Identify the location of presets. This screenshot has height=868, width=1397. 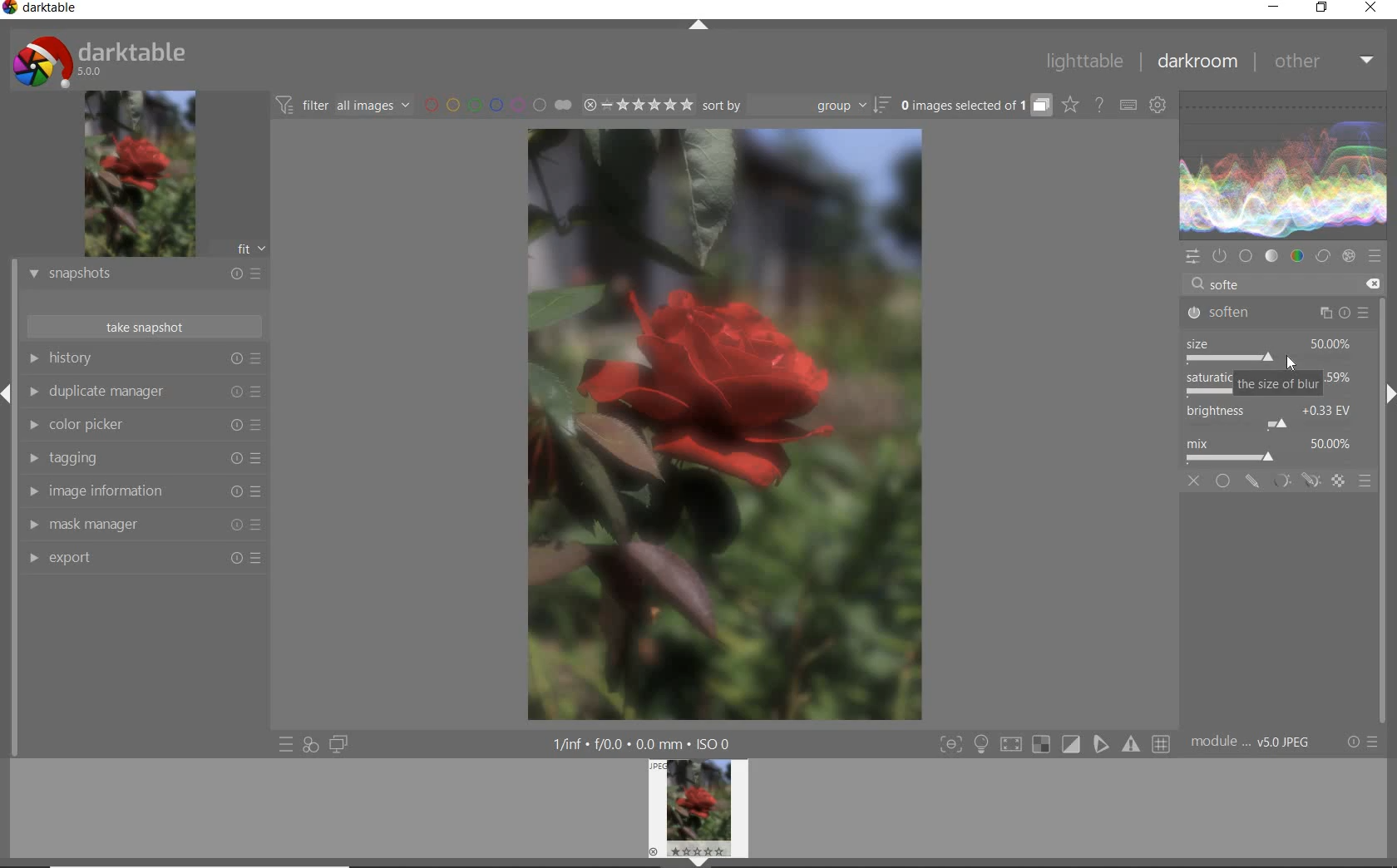
(1374, 254).